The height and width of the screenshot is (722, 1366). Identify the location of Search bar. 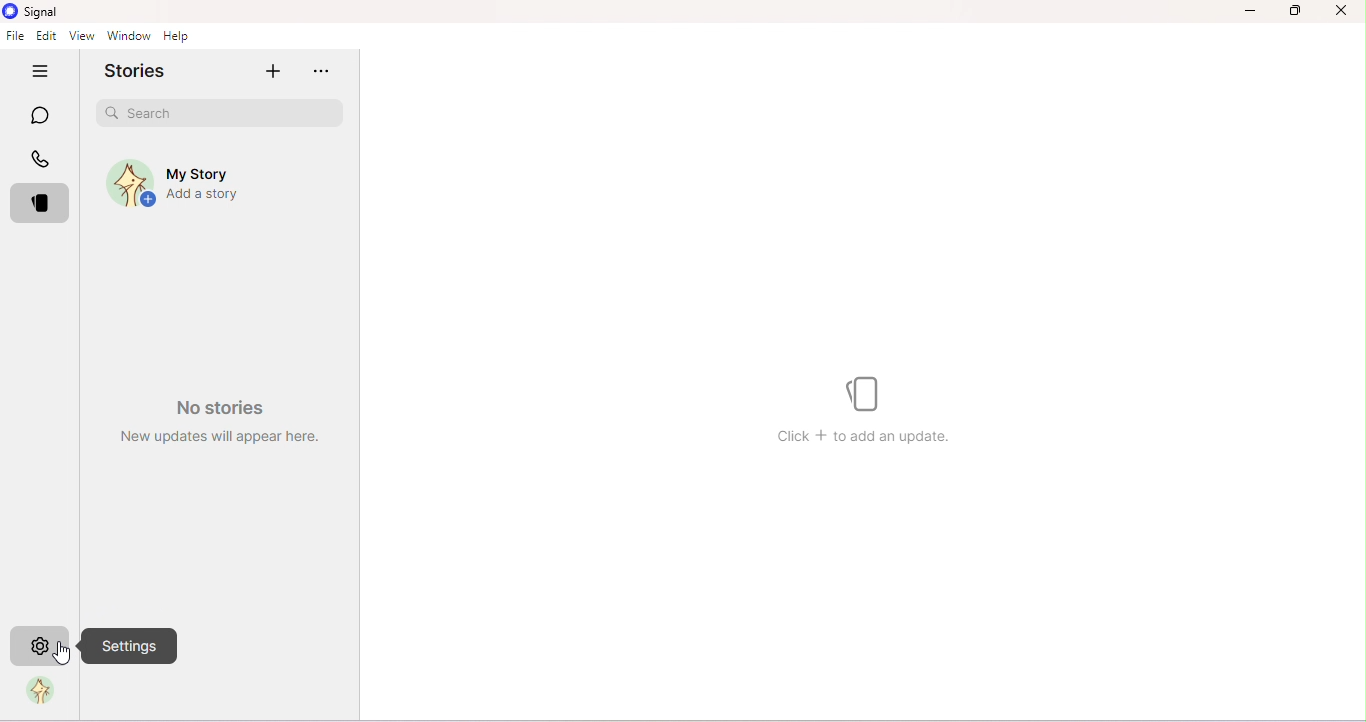
(222, 111).